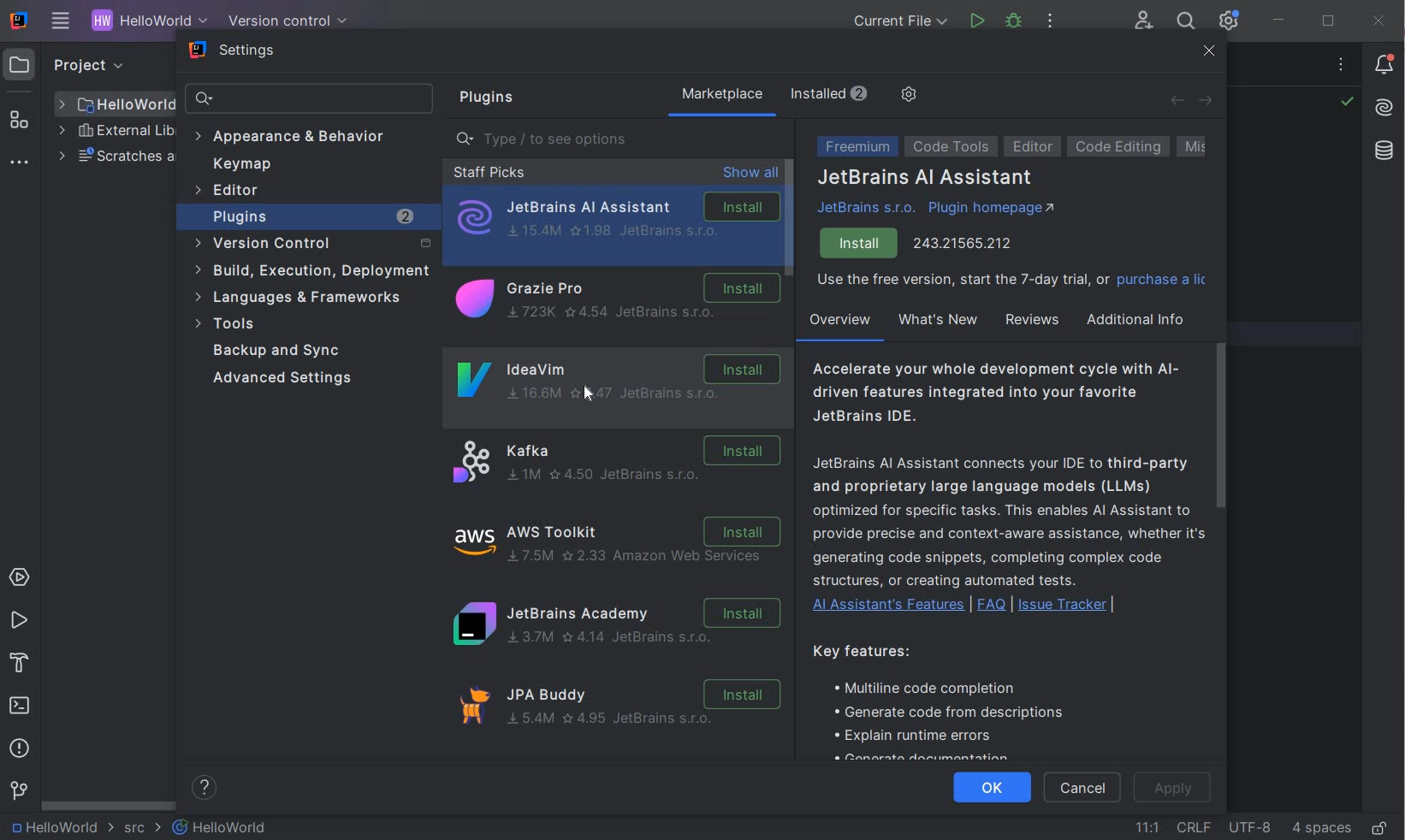  Describe the element at coordinates (1249, 826) in the screenshot. I see `FILE ENCODING` at that location.